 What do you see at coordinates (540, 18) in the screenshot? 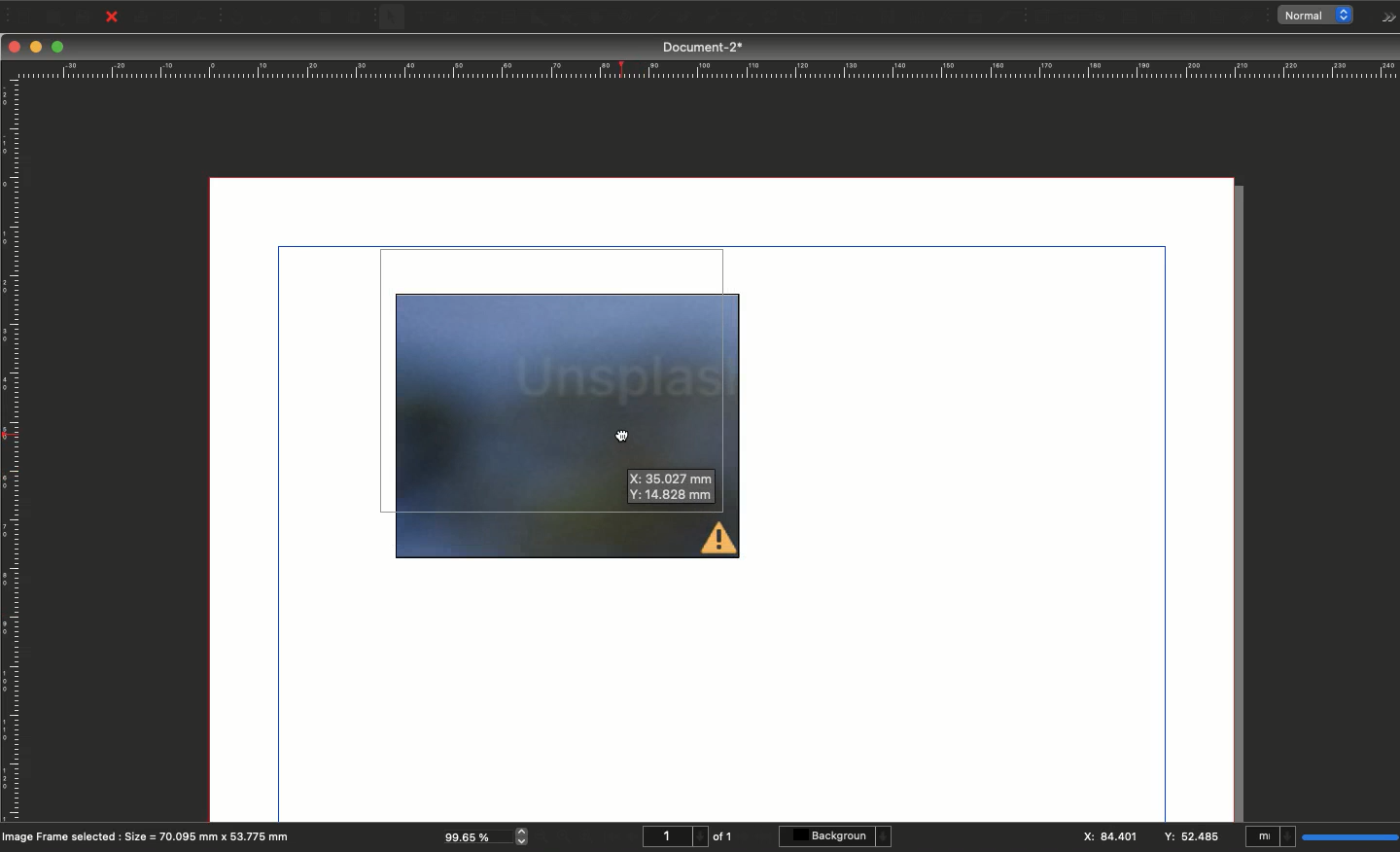
I see `Shape` at bounding box center [540, 18].